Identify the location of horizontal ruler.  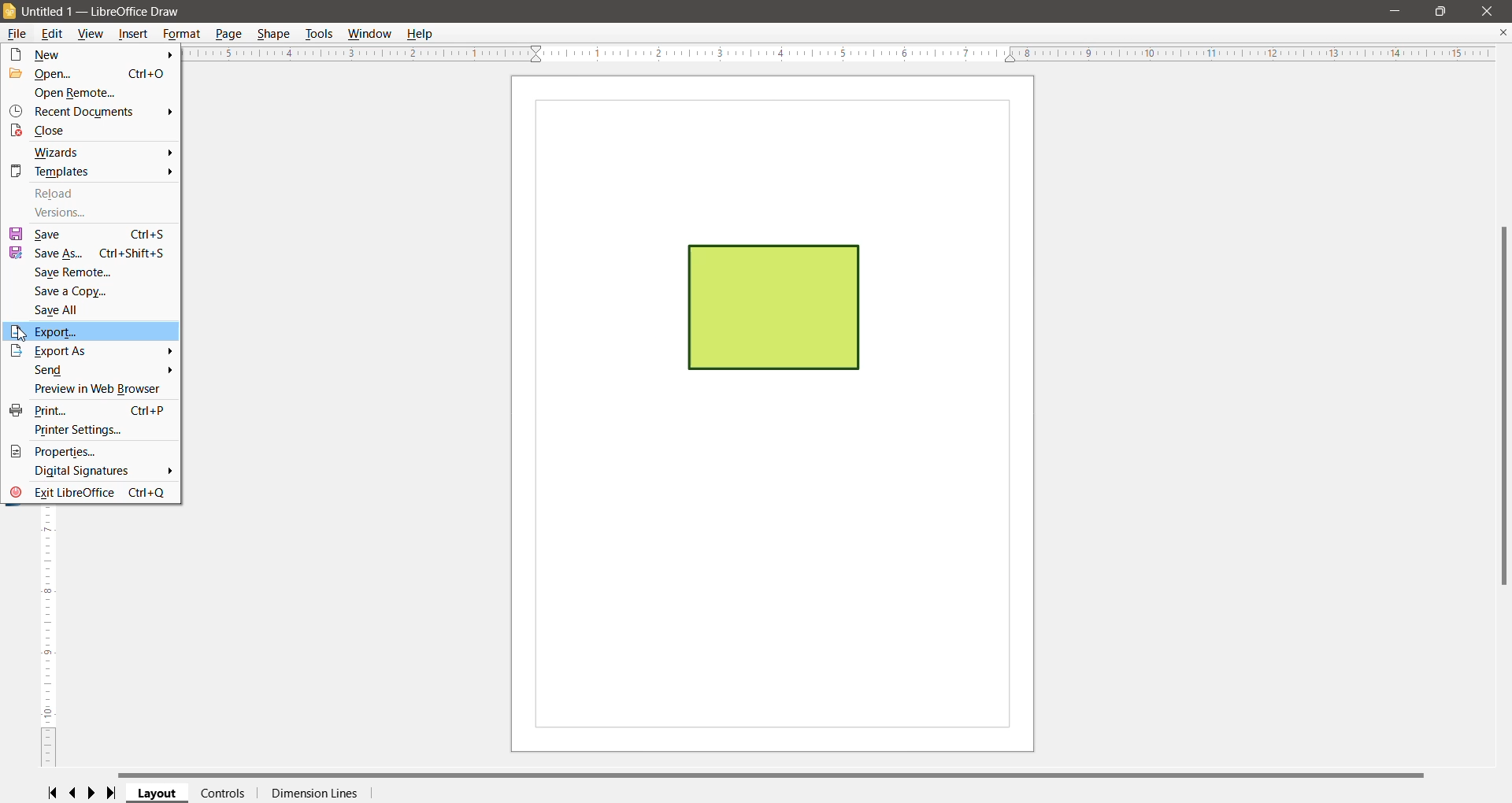
(843, 56).